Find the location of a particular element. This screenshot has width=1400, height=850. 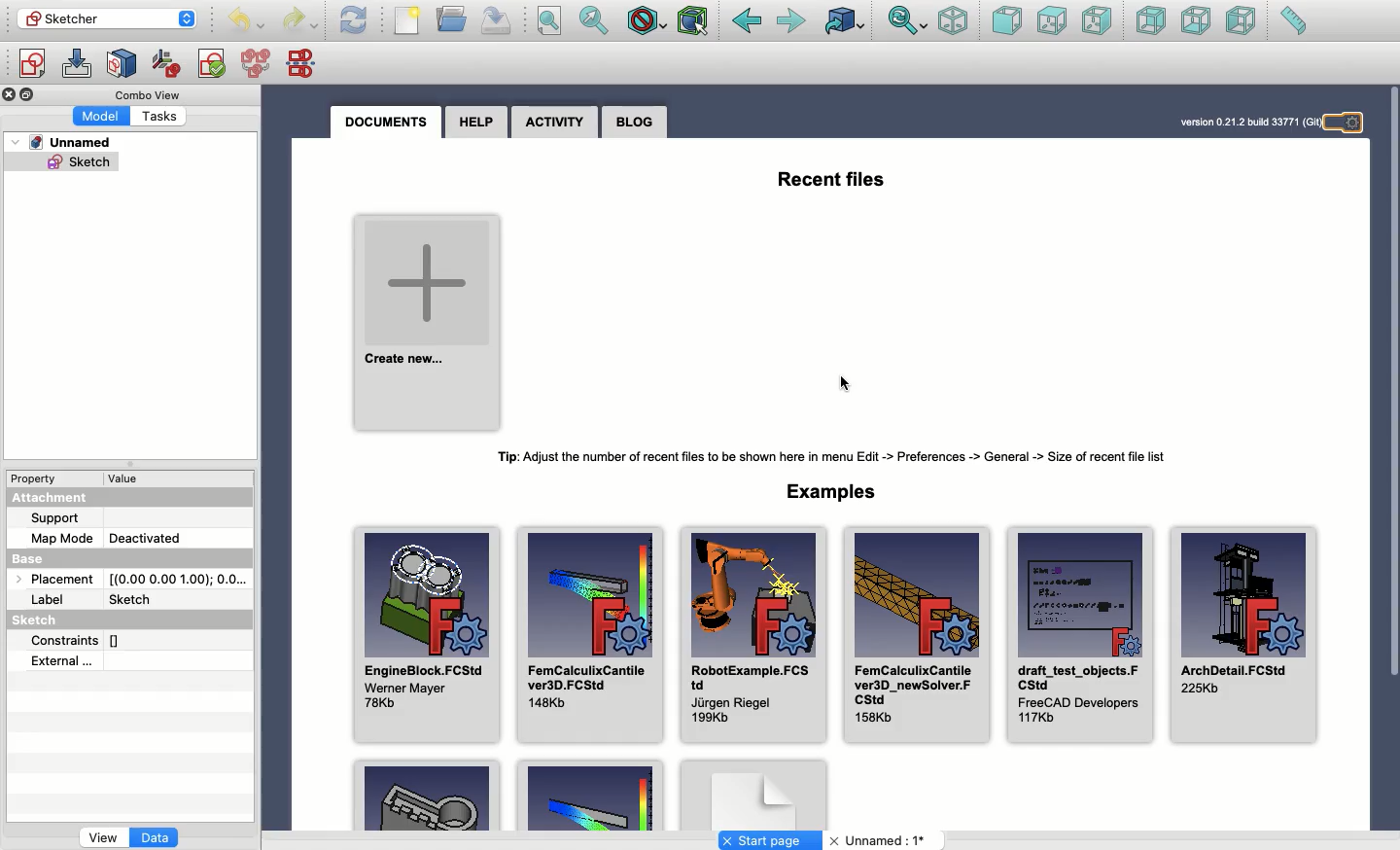

Settings is located at coordinates (1352, 124).